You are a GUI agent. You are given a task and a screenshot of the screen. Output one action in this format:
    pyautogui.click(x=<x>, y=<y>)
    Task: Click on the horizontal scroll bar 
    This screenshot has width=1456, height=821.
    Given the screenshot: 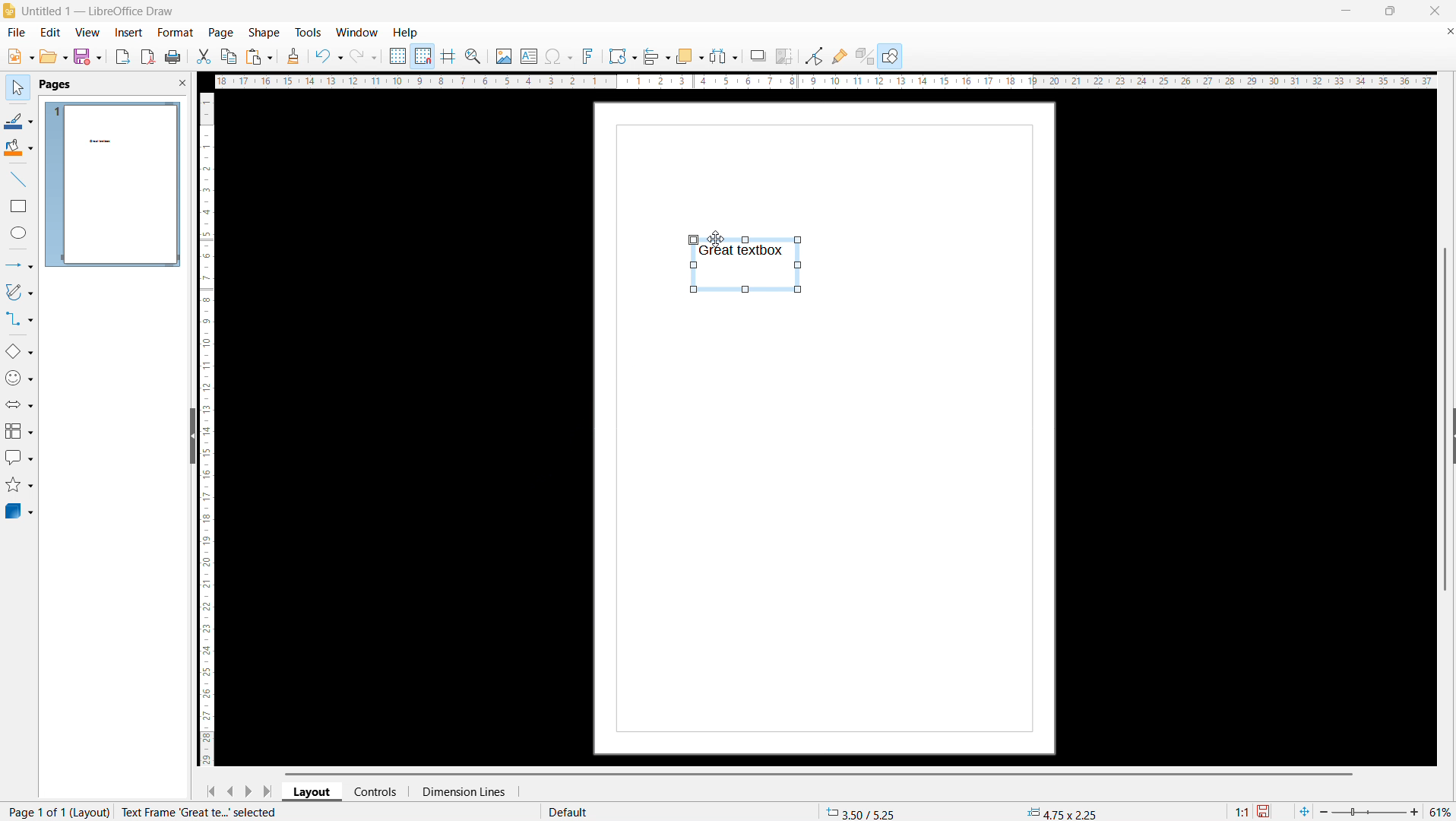 What is the action you would take?
    pyautogui.click(x=818, y=773)
    